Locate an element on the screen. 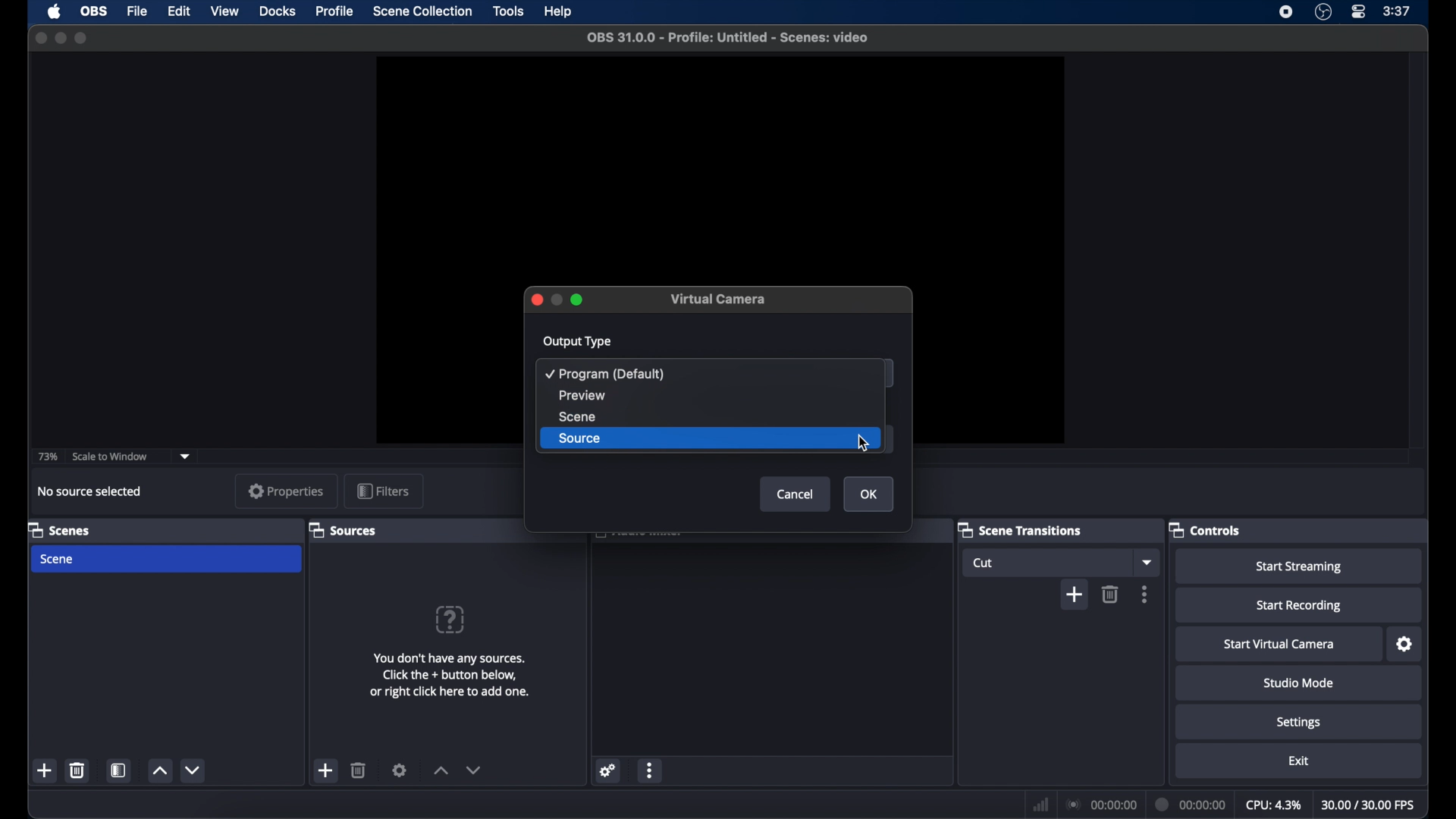 Image resolution: width=1456 pixels, height=819 pixels. maximize is located at coordinates (83, 38).